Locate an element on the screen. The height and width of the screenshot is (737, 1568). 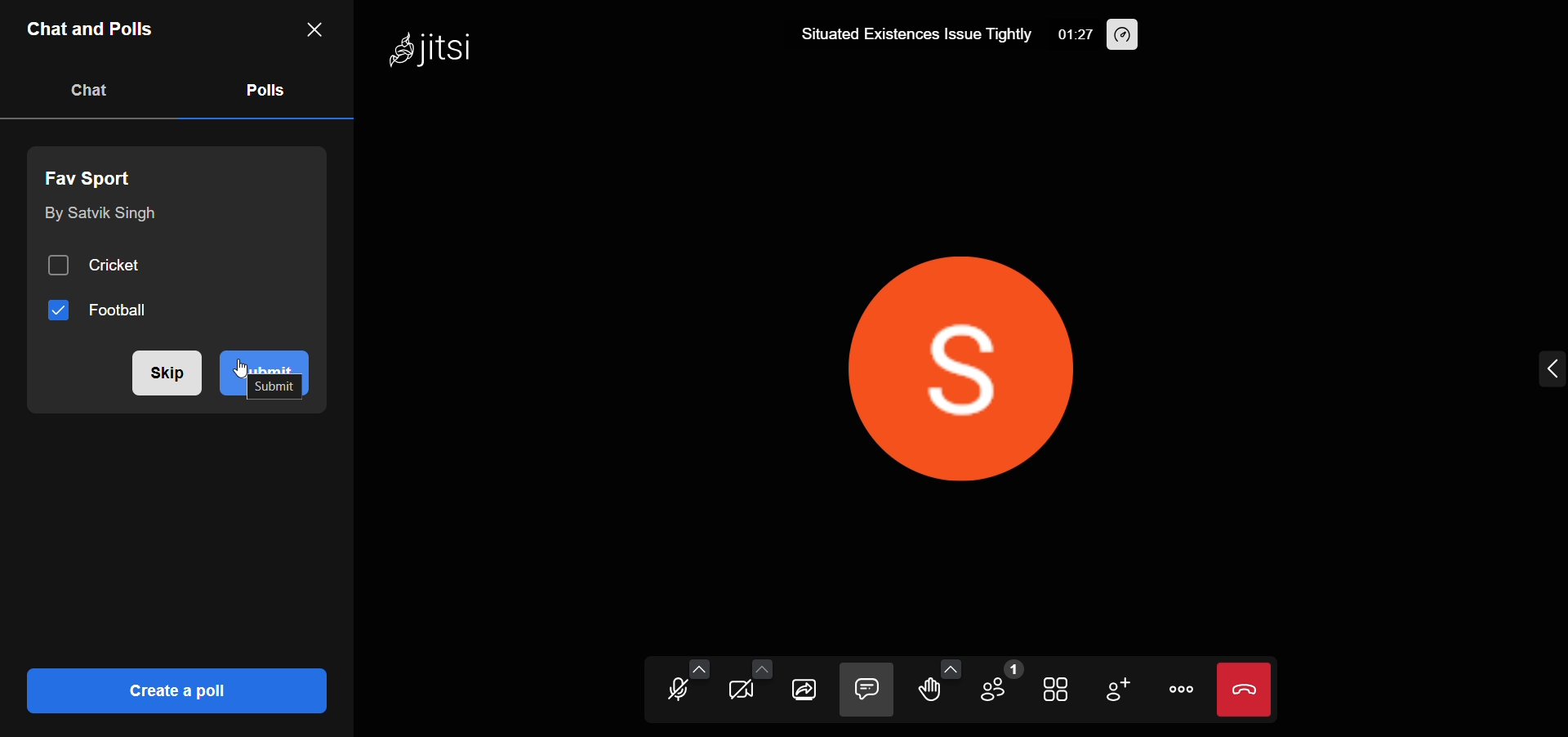
cursor is located at coordinates (251, 369).